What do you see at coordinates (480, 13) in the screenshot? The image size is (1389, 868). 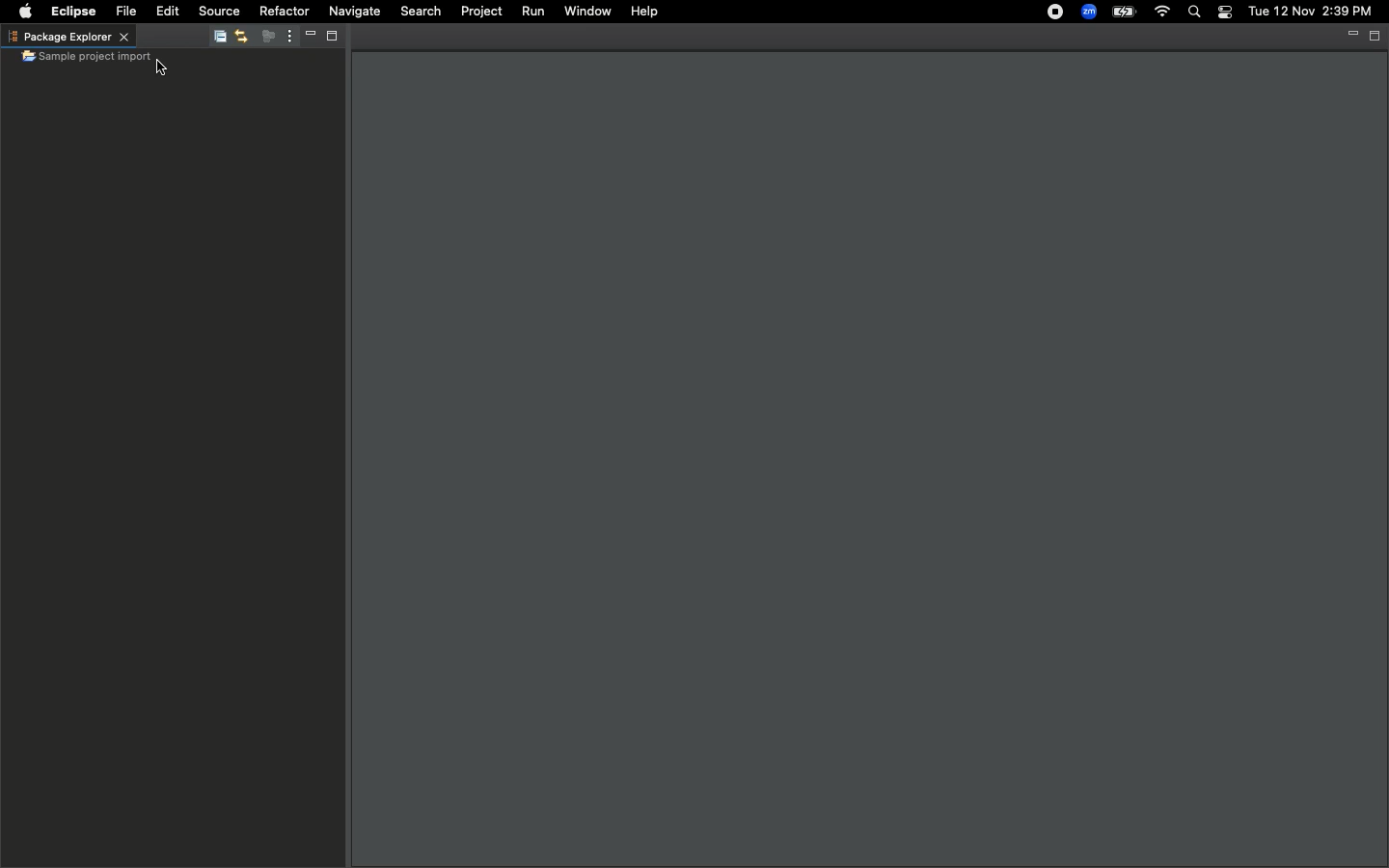 I see `Project` at bounding box center [480, 13].